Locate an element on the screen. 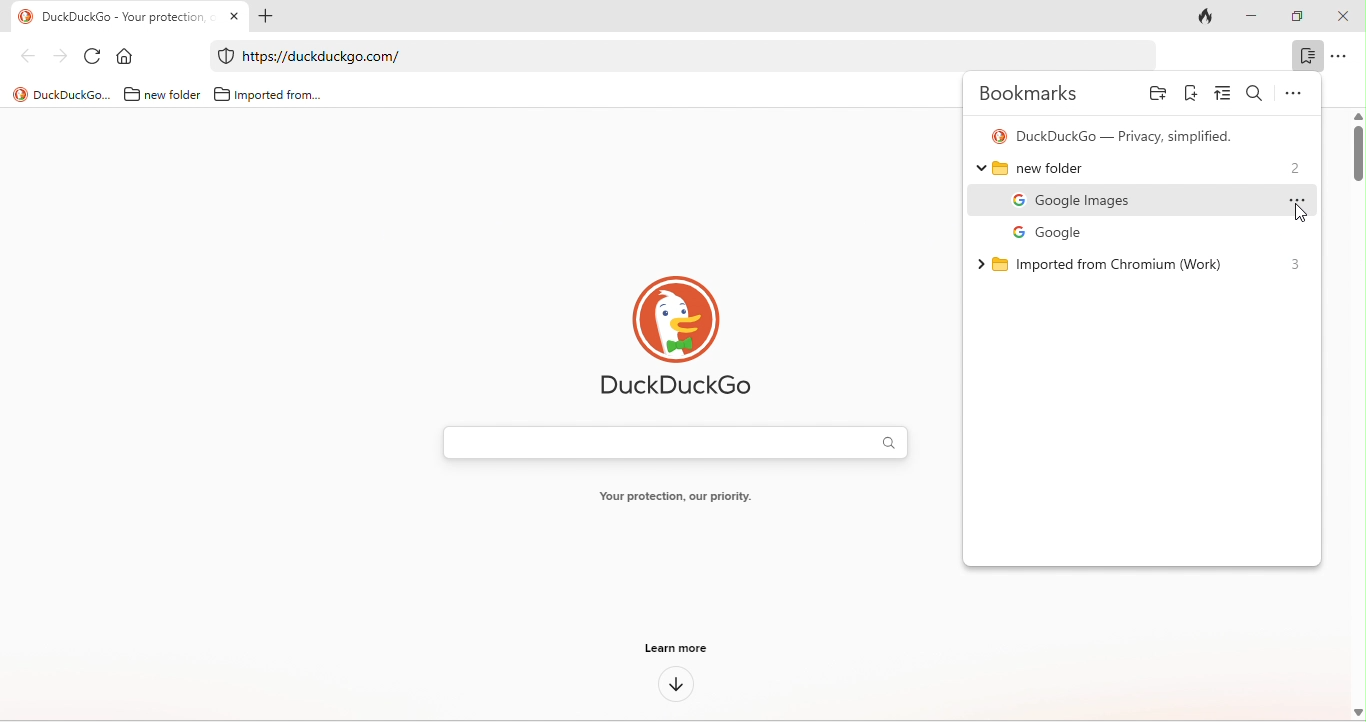  refresh is located at coordinates (92, 55).